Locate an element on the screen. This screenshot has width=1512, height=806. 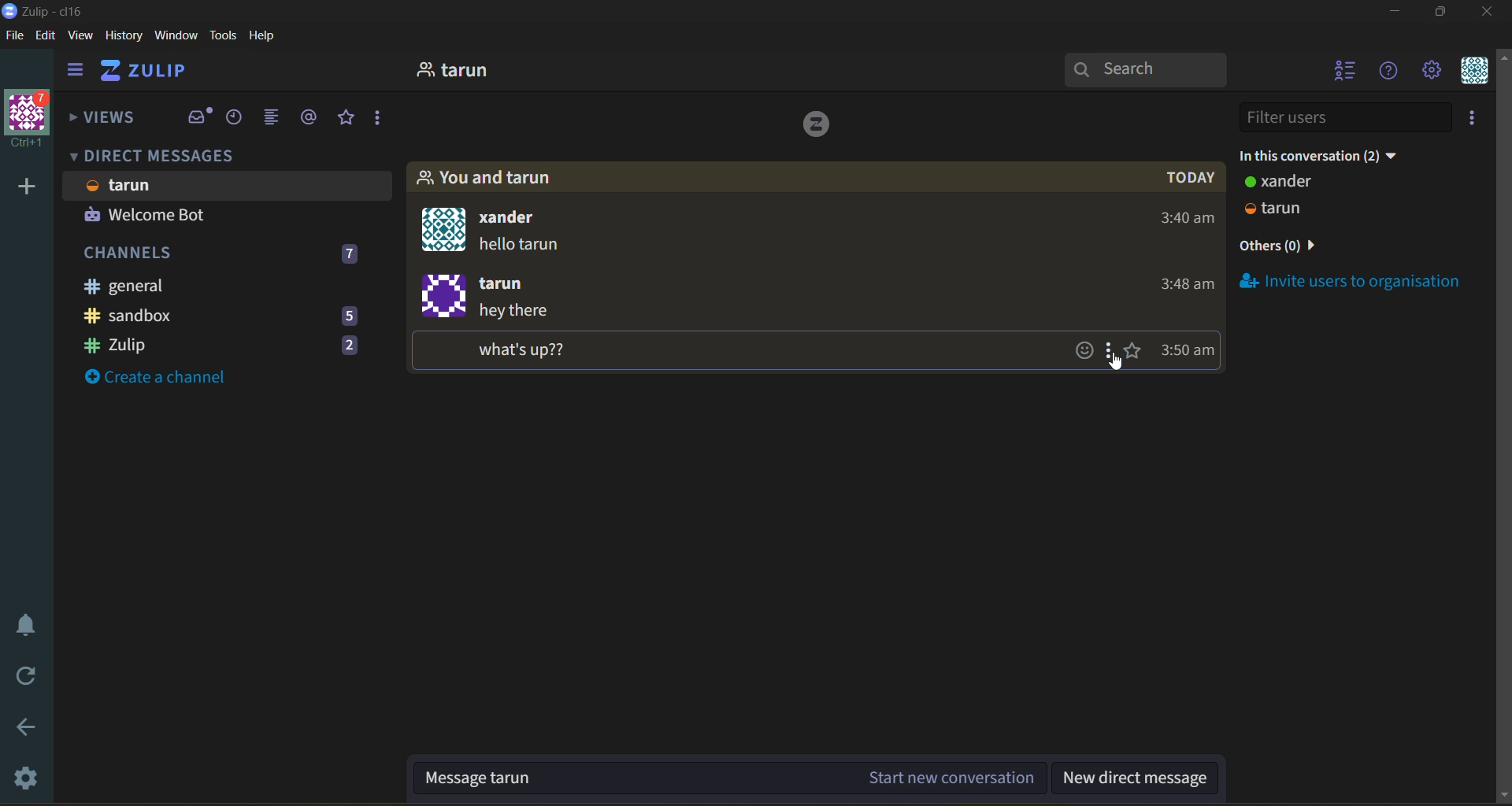
message actions is located at coordinates (1113, 349).